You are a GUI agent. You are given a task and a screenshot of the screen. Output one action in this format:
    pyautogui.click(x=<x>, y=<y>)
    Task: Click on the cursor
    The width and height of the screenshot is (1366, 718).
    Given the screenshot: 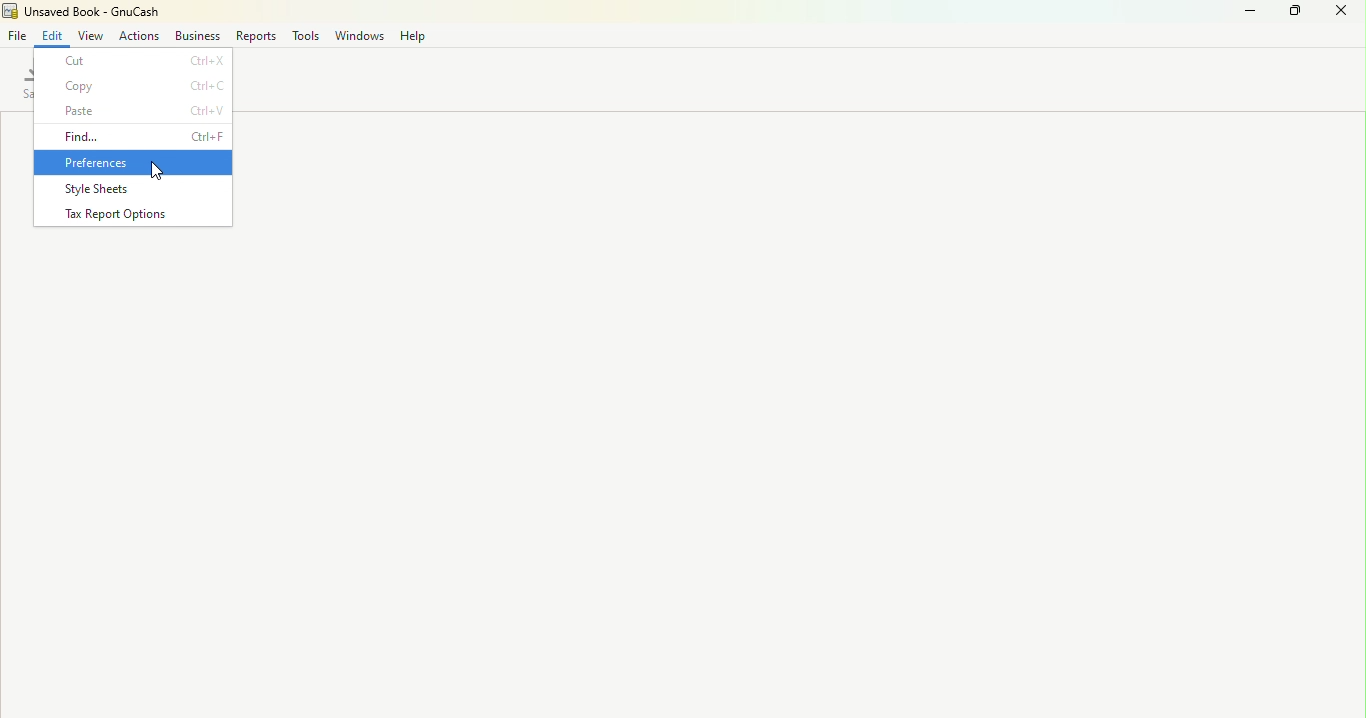 What is the action you would take?
    pyautogui.click(x=153, y=174)
    